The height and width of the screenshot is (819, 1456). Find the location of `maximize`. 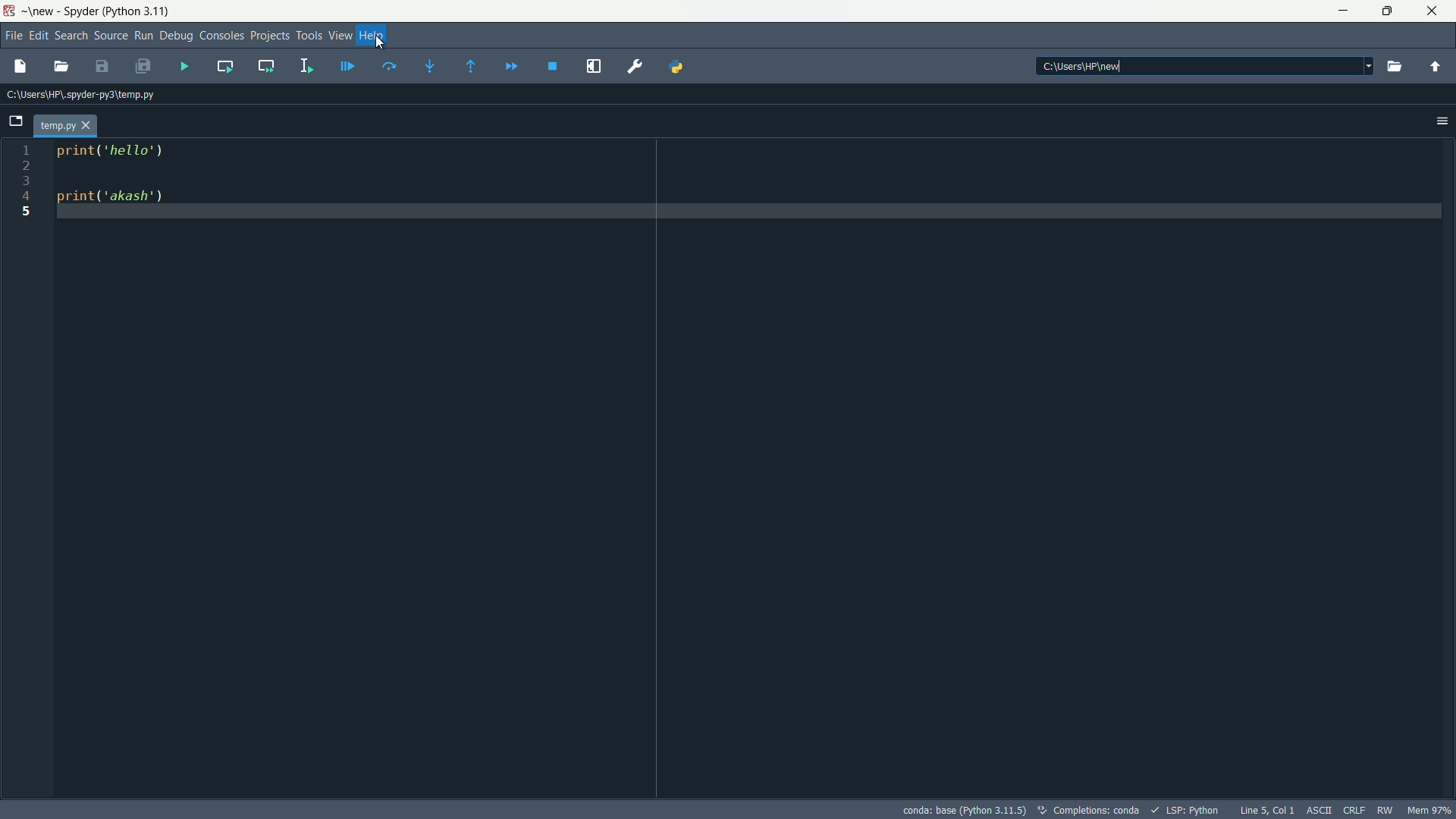

maximize is located at coordinates (1385, 12).